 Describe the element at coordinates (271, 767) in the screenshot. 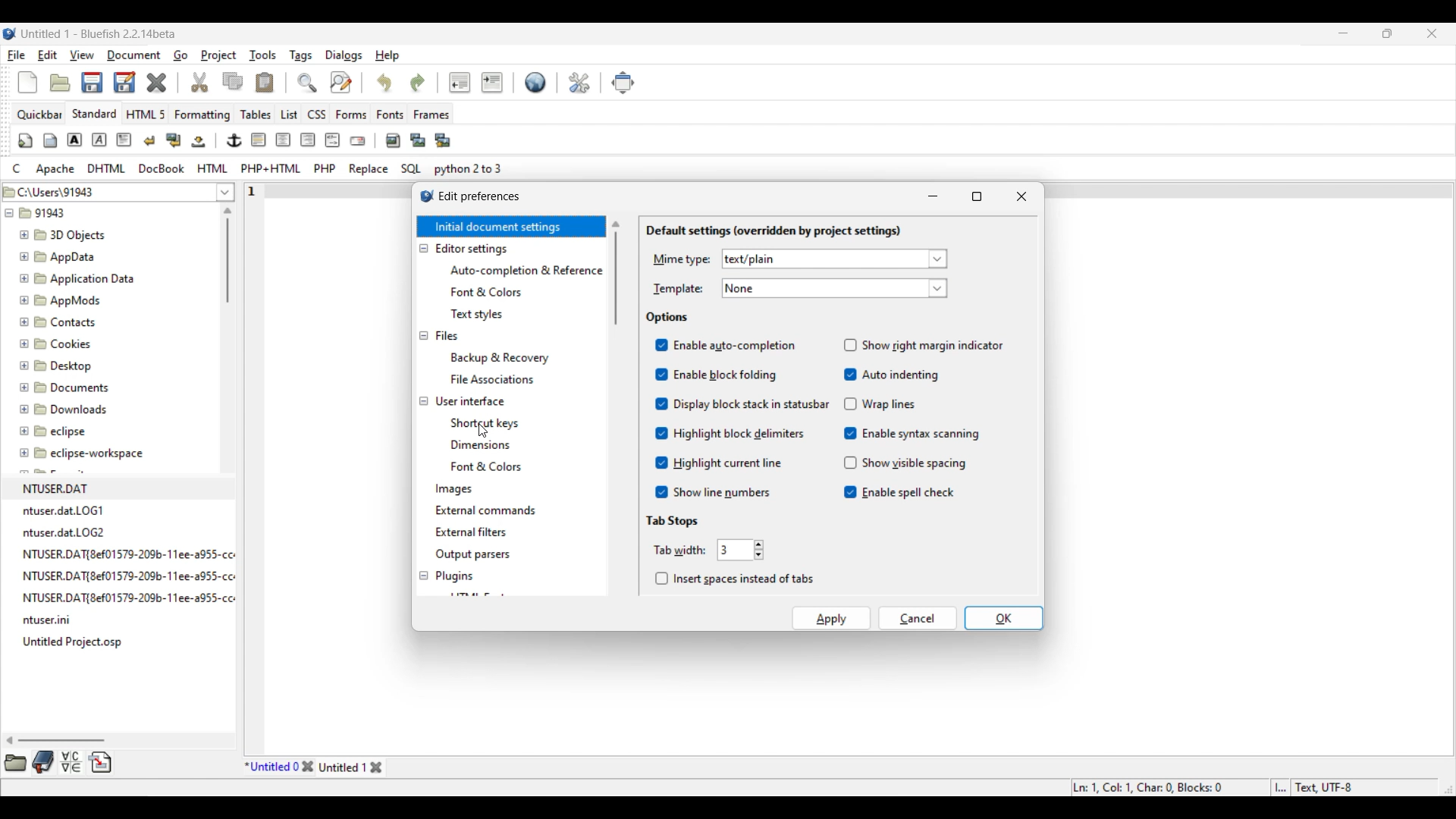

I see `Current tab` at that location.